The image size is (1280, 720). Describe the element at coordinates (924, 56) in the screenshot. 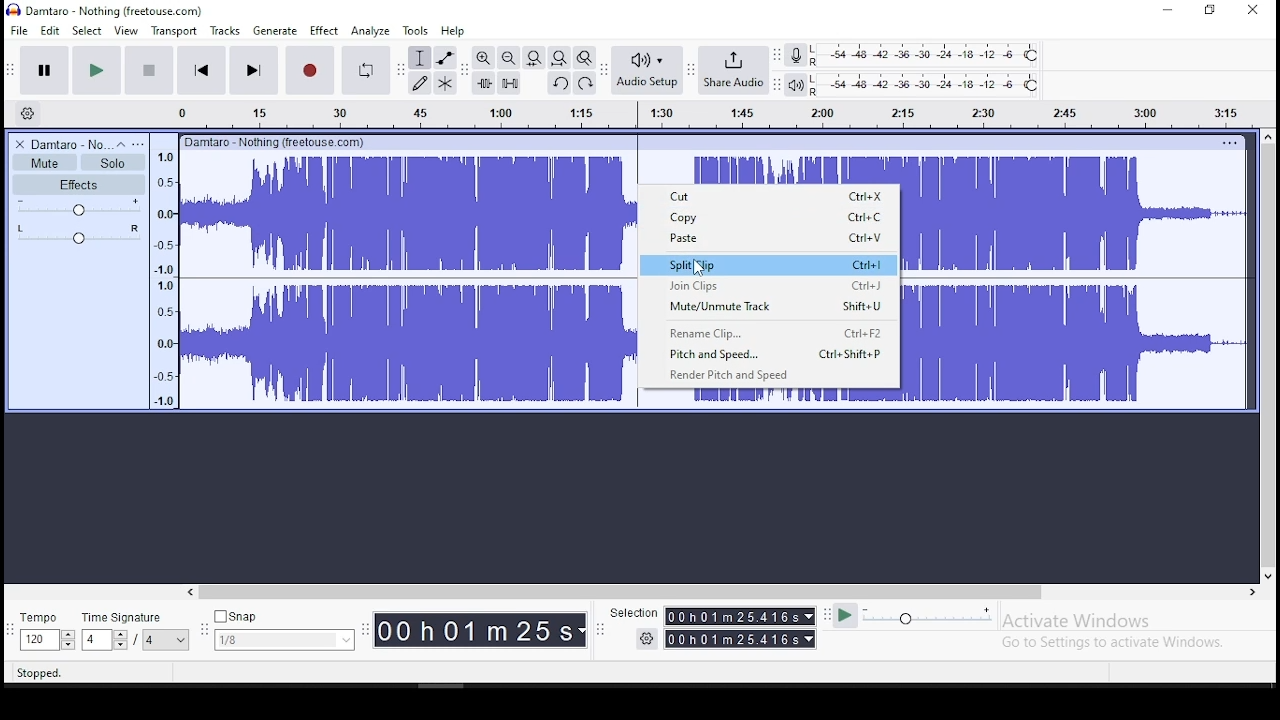

I see `recording level` at that location.